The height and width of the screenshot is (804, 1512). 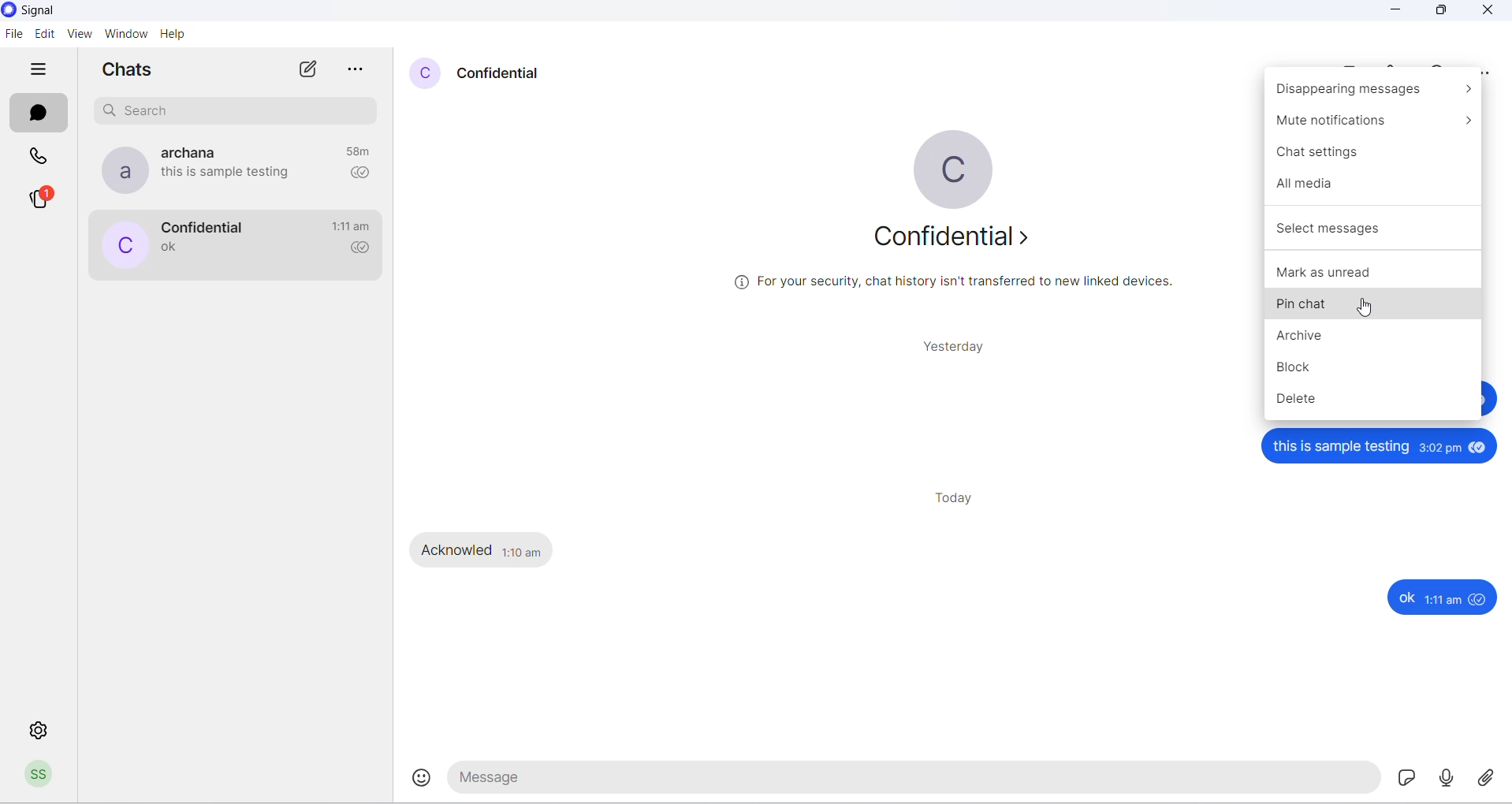 I want to click on seen, so click(x=1480, y=449).